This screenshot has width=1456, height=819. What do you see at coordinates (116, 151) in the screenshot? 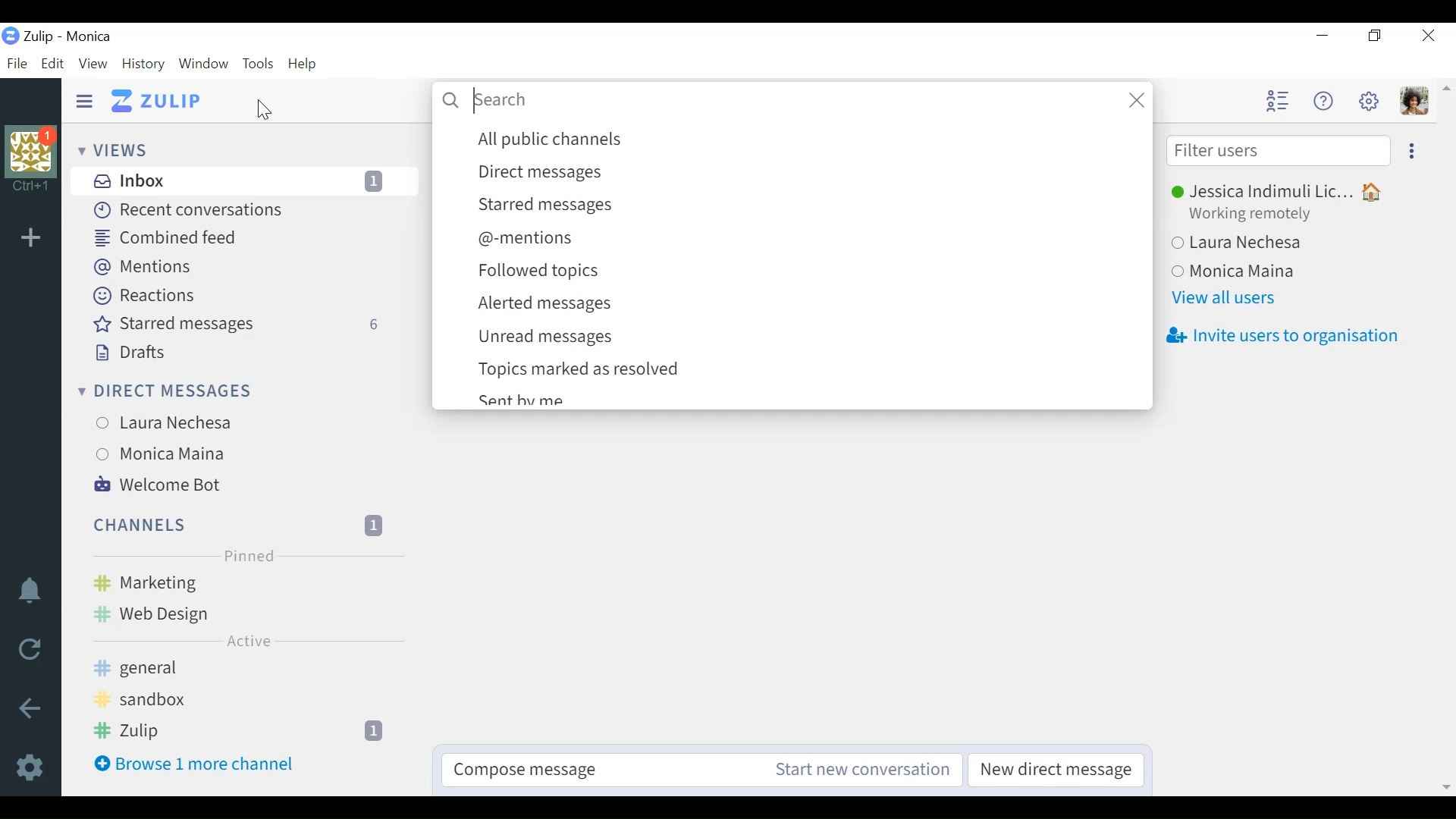
I see `Views dropdown` at bounding box center [116, 151].